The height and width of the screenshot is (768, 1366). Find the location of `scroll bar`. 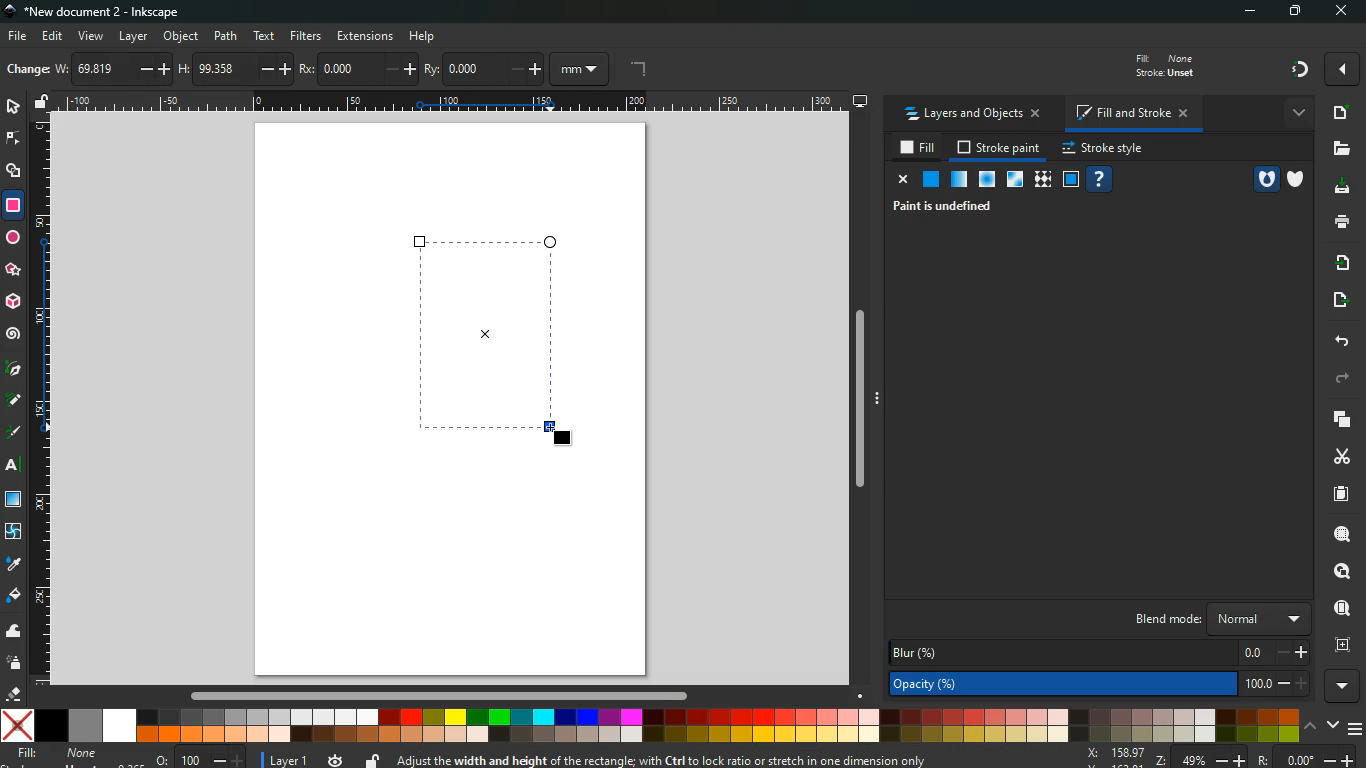

scroll bar is located at coordinates (434, 696).